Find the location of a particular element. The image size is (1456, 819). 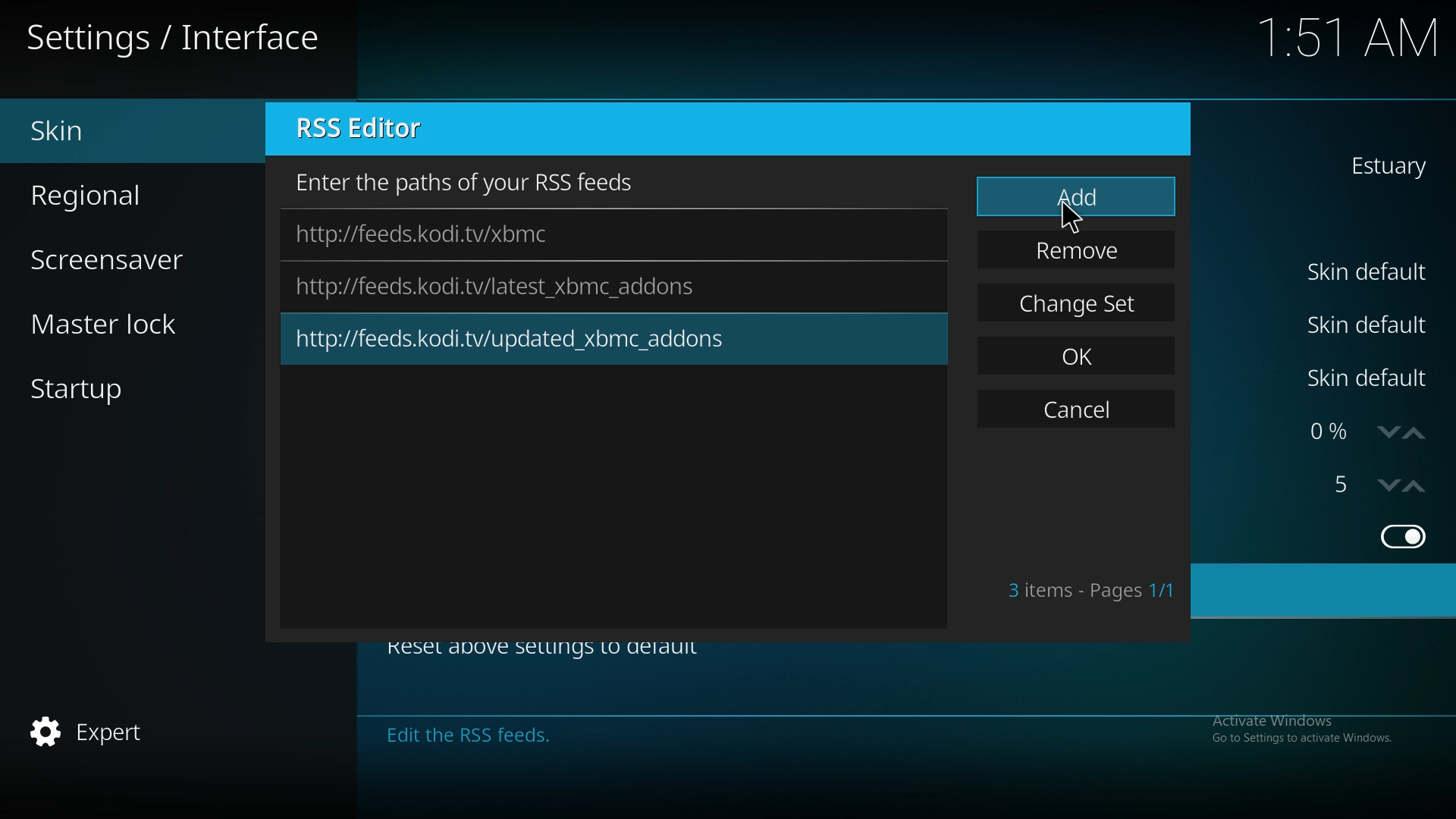

Activate Windows, Go to settings to activate windows is located at coordinates (1303, 731).